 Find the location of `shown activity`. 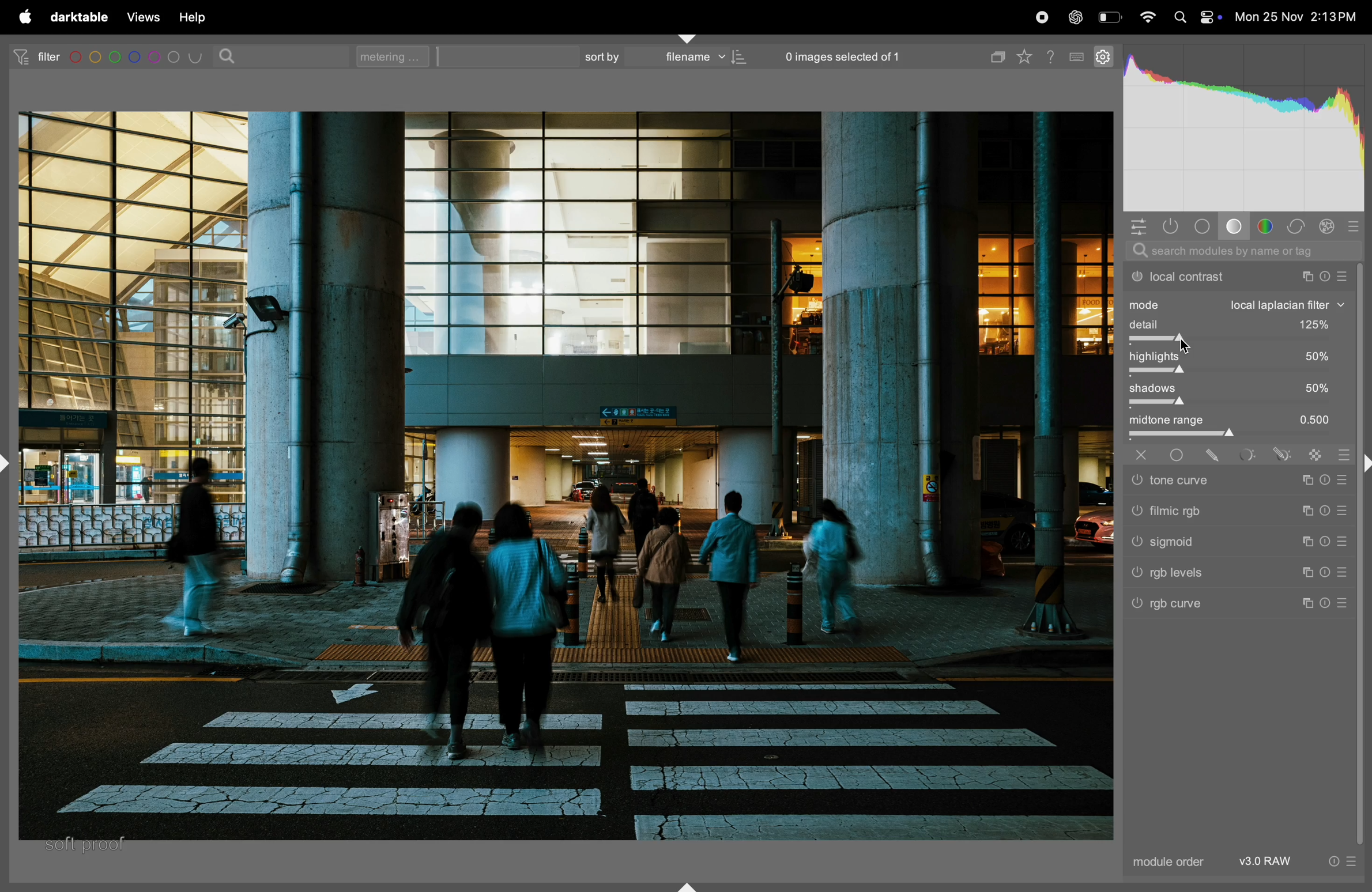

shown activity is located at coordinates (1174, 227).